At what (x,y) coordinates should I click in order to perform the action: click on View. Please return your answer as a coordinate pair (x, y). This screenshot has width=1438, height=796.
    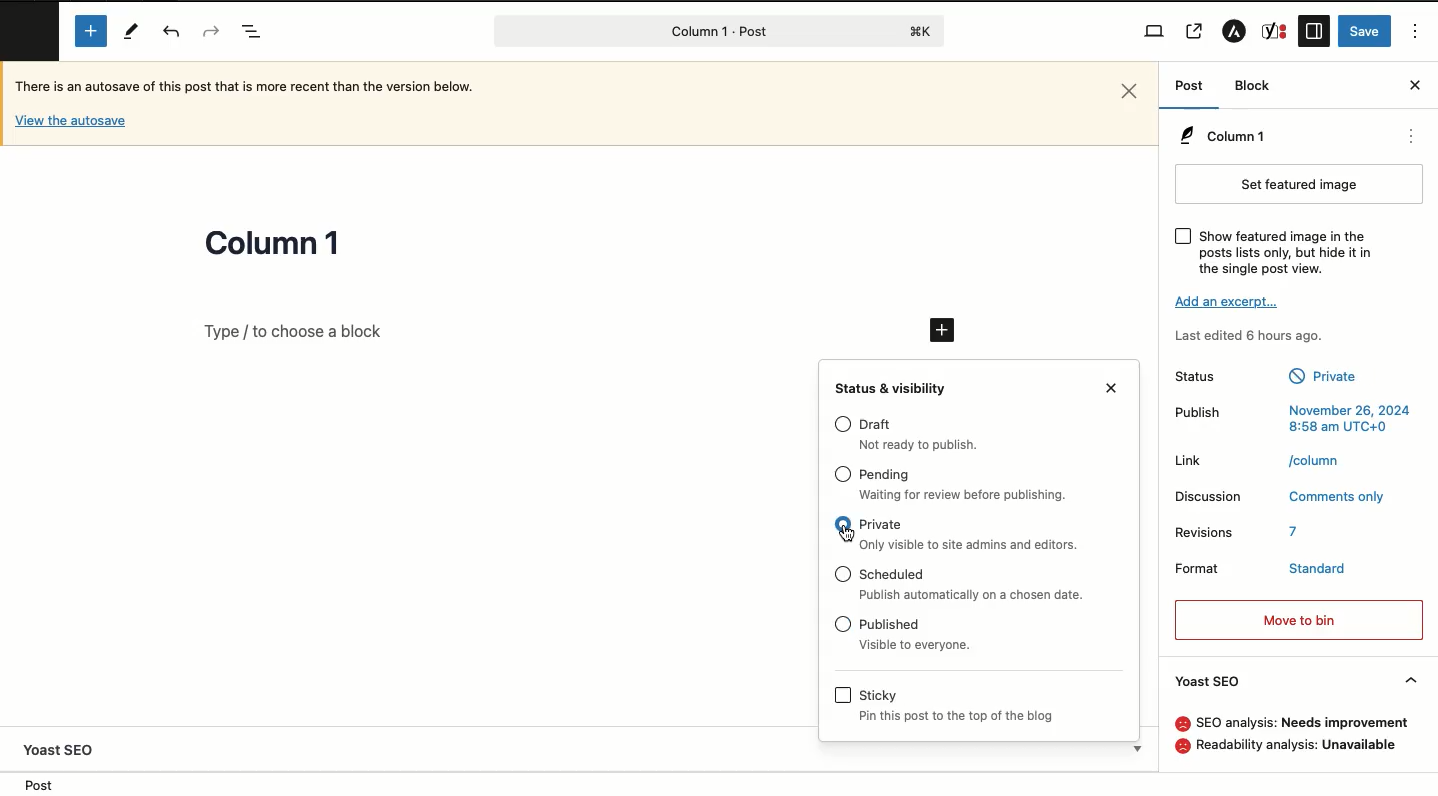
    Looking at the image, I should click on (1154, 32).